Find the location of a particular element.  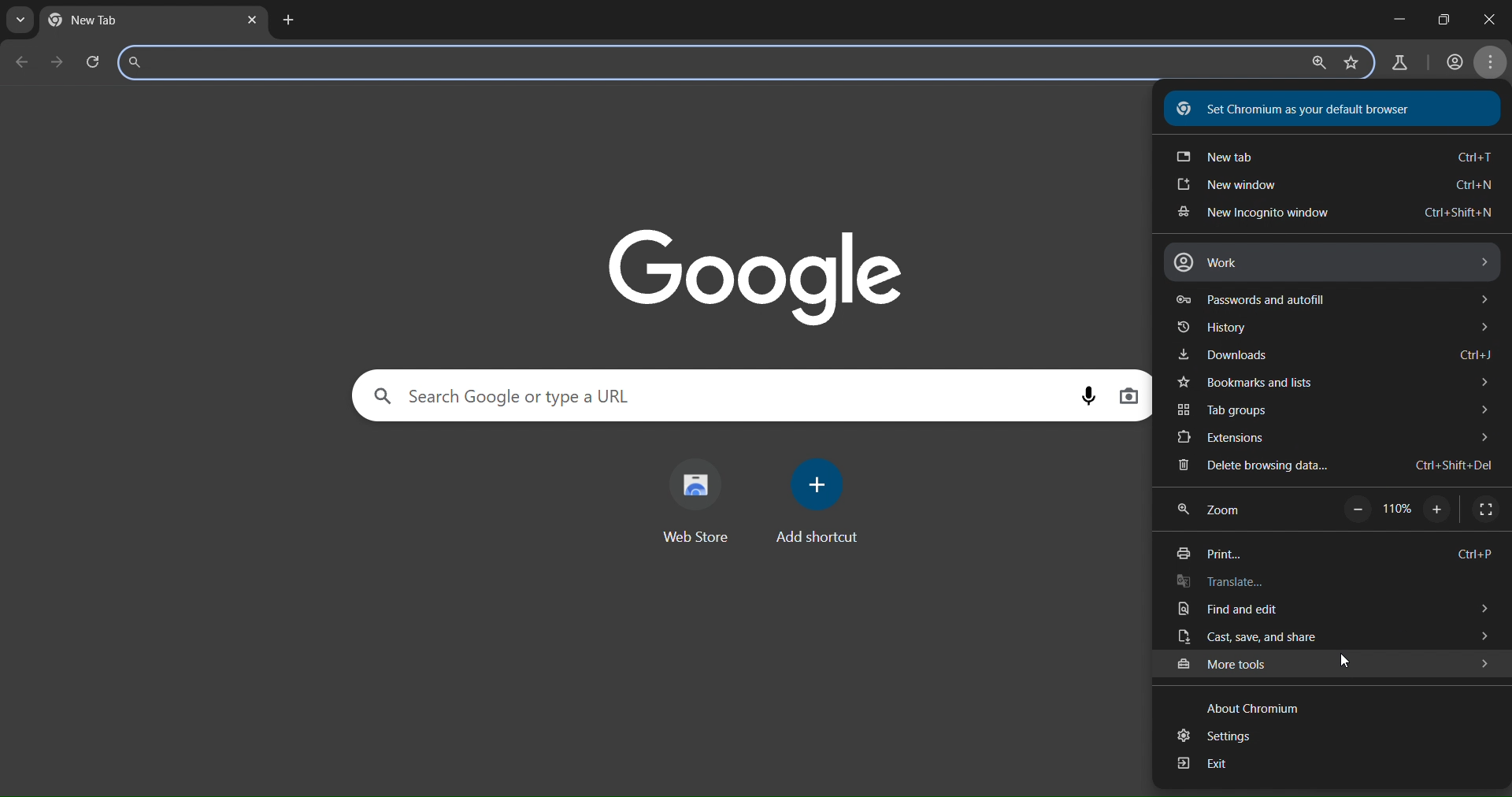

close tab is located at coordinates (254, 21).